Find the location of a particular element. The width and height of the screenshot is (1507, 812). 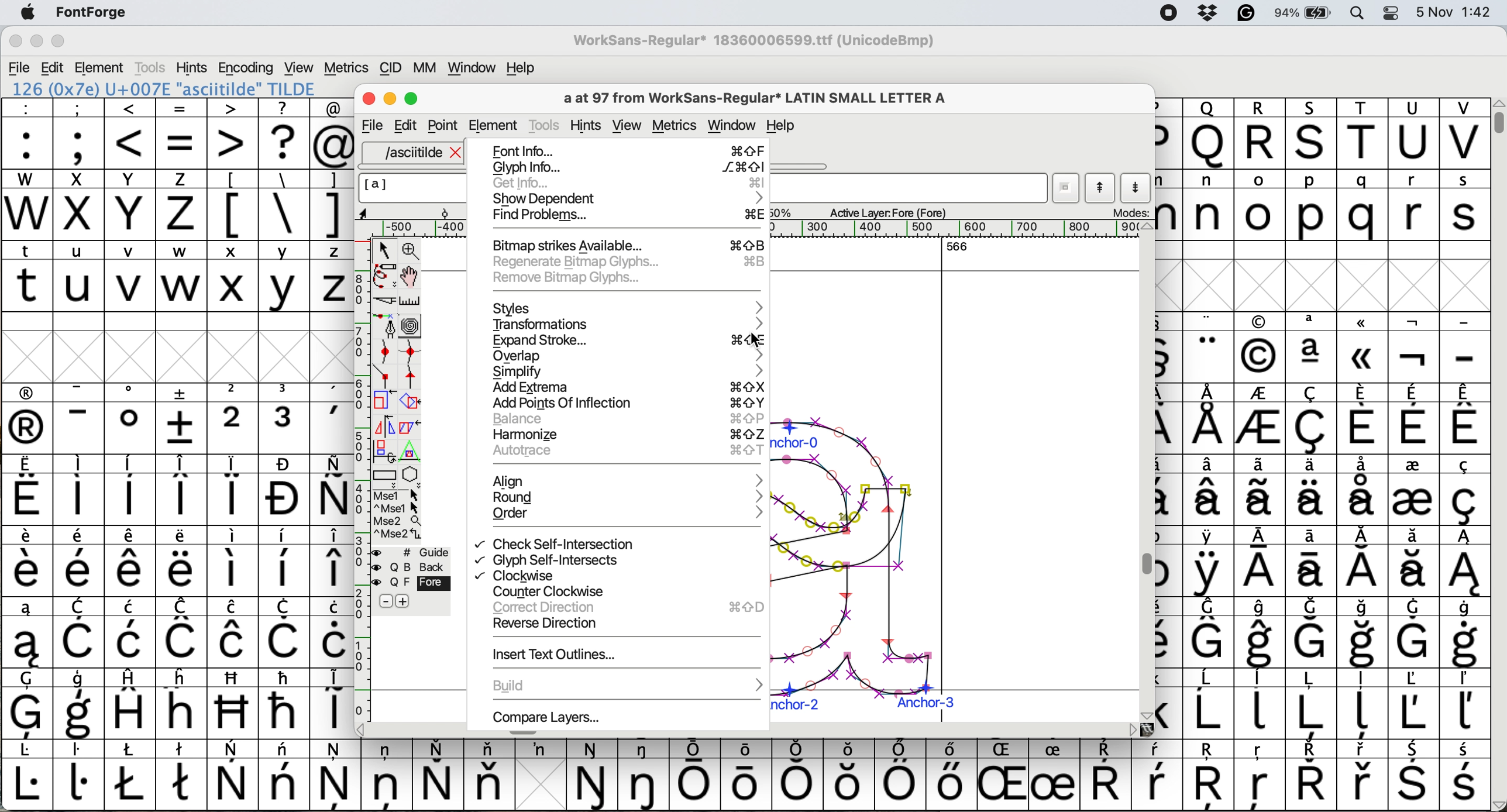

cid is located at coordinates (389, 68).